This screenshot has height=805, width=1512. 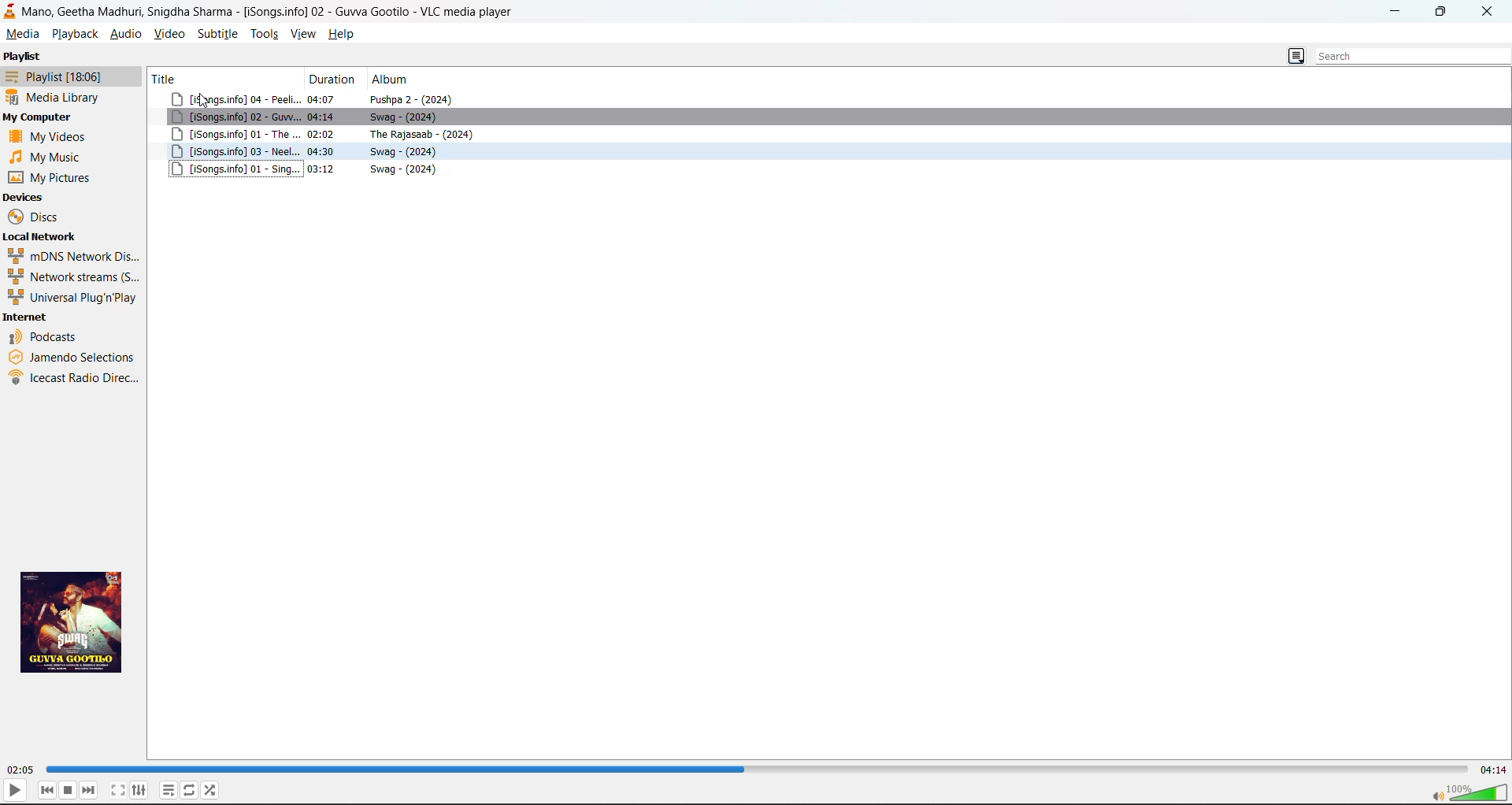 I want to click on previous, so click(x=47, y=791).